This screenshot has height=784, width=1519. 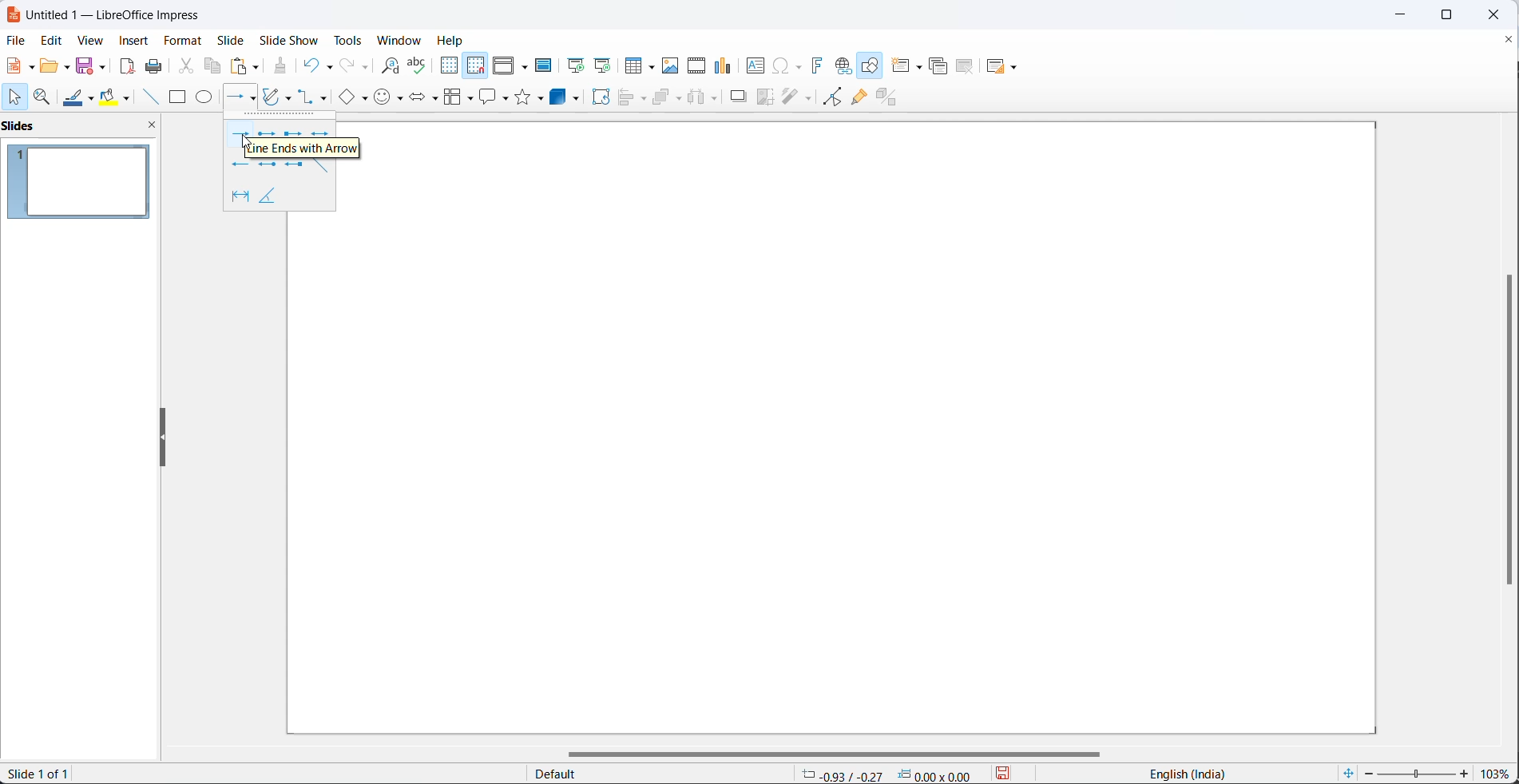 I want to click on cursor, so click(x=18, y=98).